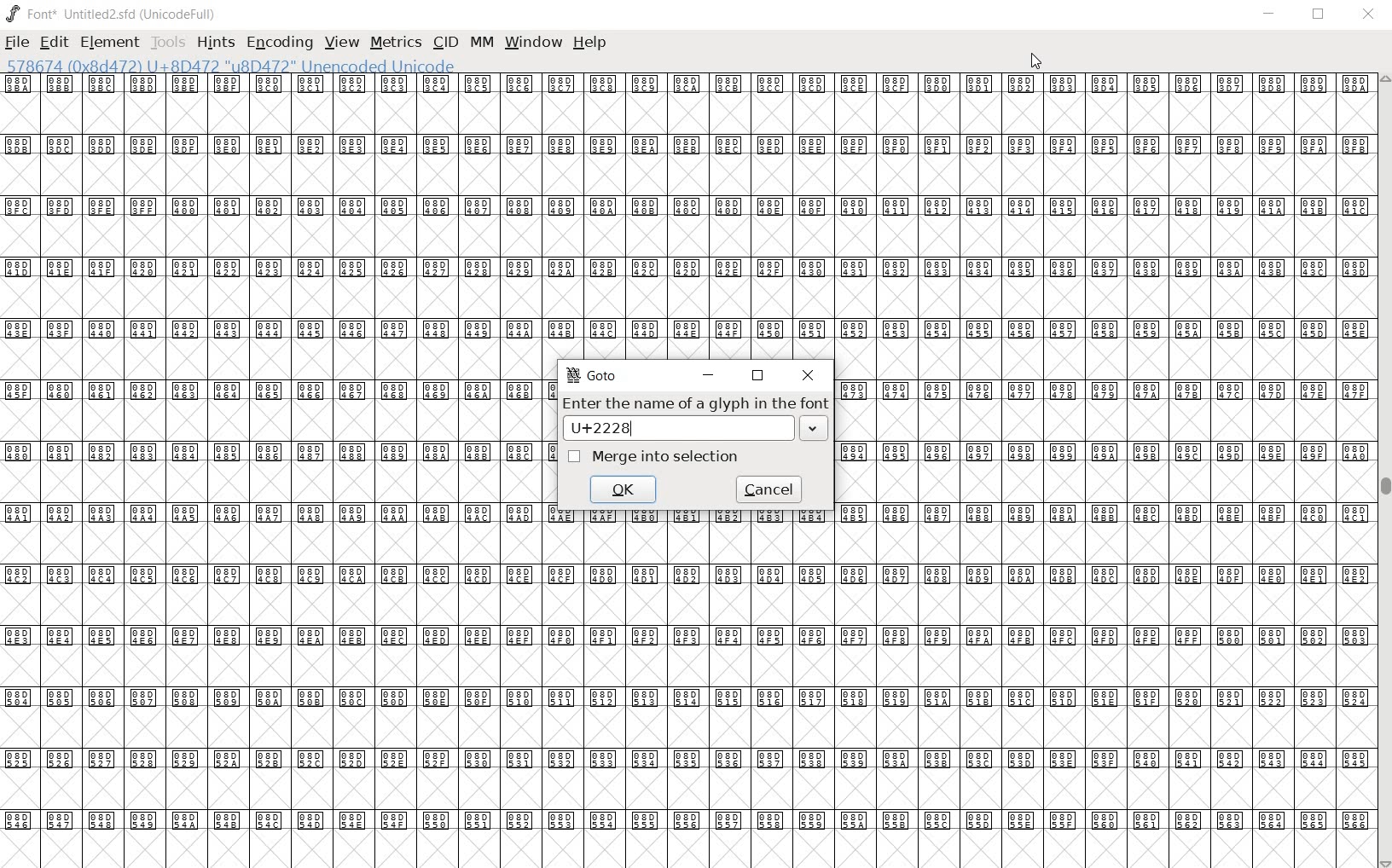 Image resolution: width=1392 pixels, height=868 pixels. What do you see at coordinates (444, 42) in the screenshot?
I see `cid` at bounding box center [444, 42].